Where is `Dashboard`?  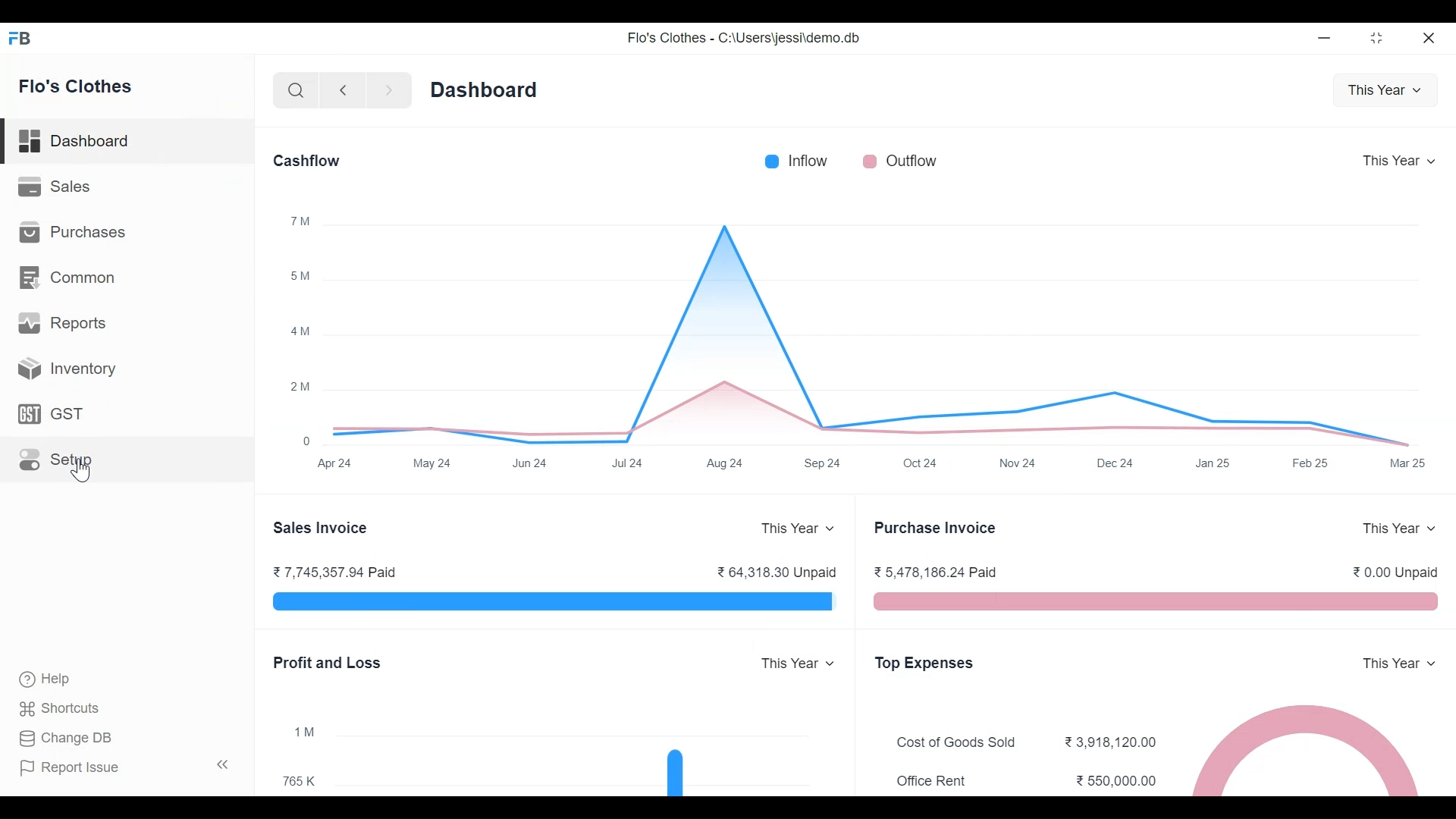 Dashboard is located at coordinates (490, 96).